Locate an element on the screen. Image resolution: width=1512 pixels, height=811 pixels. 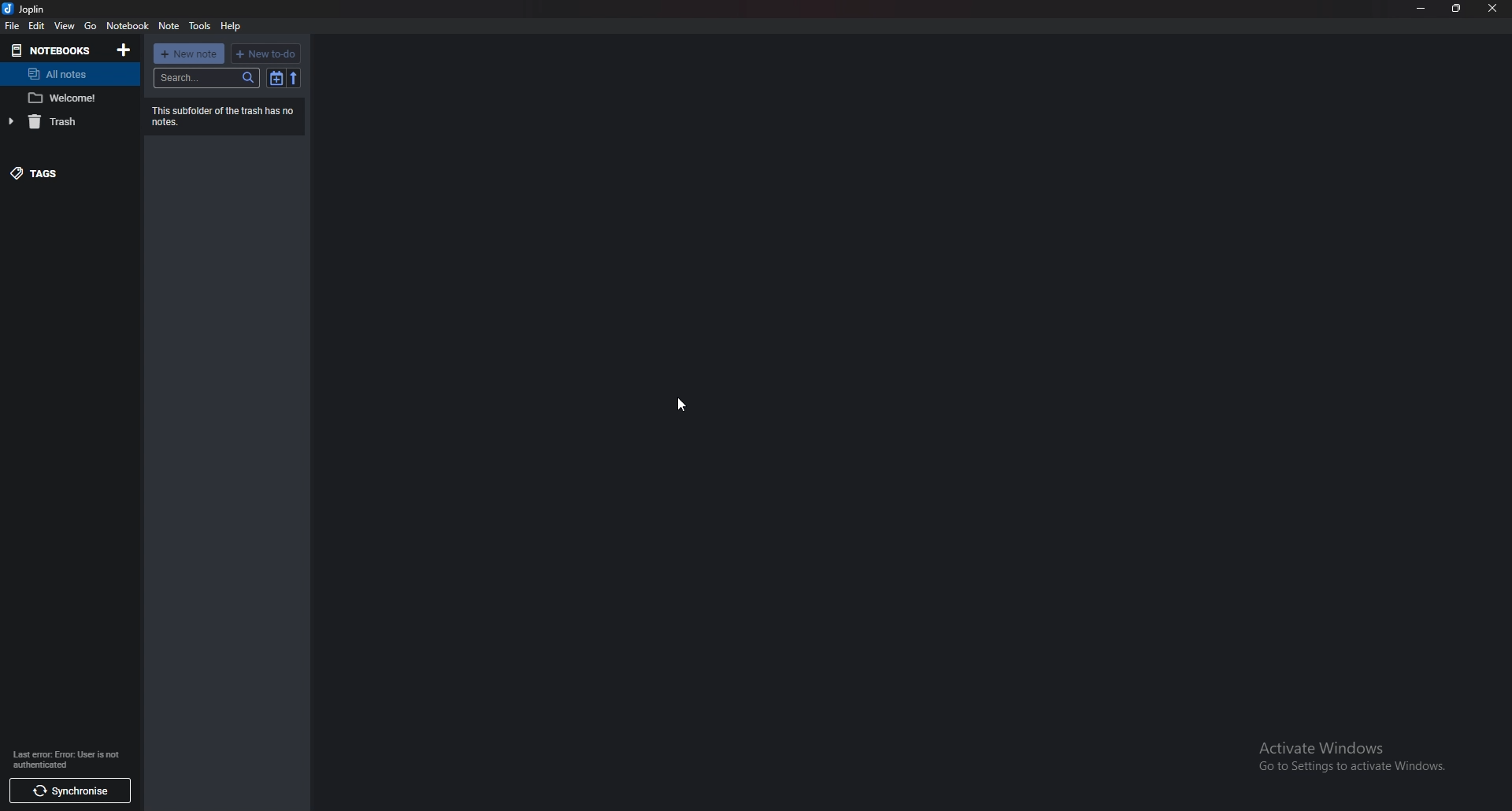
Resize is located at coordinates (1456, 8).